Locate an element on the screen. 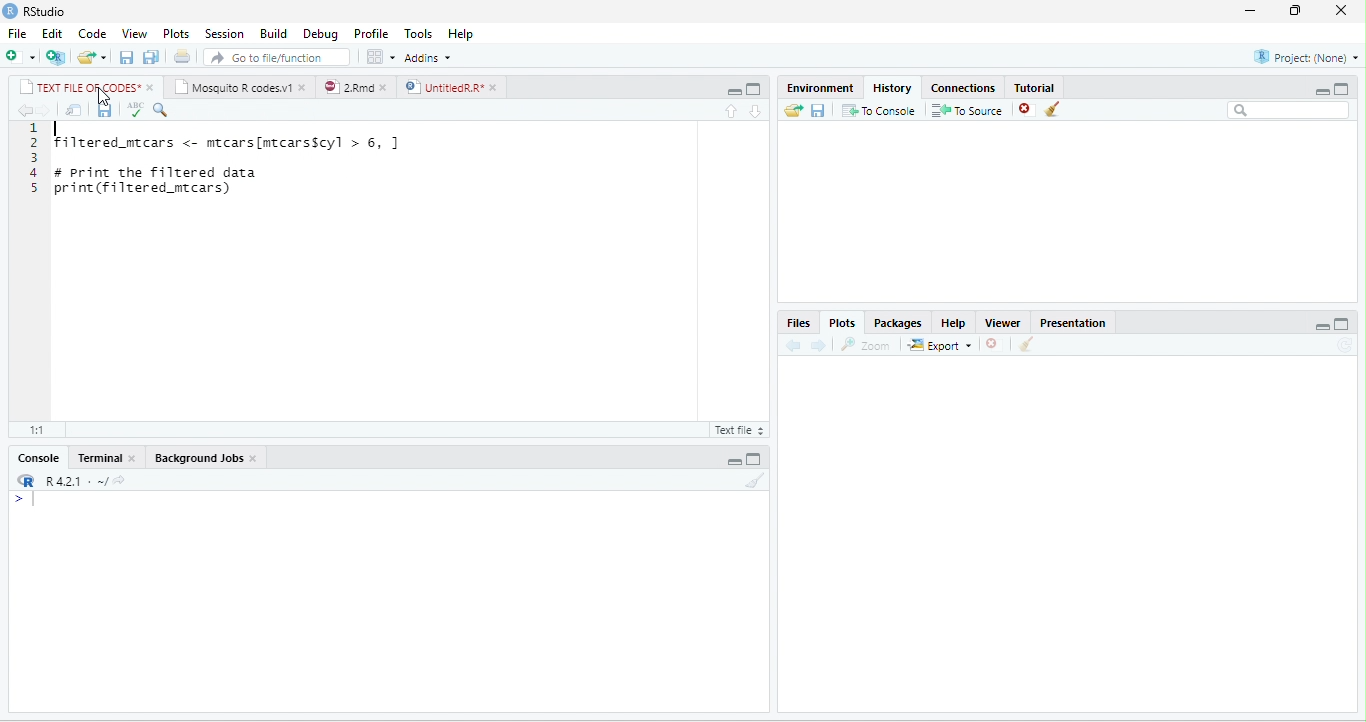 Image resolution: width=1366 pixels, height=722 pixels. maximize is located at coordinates (1341, 89).